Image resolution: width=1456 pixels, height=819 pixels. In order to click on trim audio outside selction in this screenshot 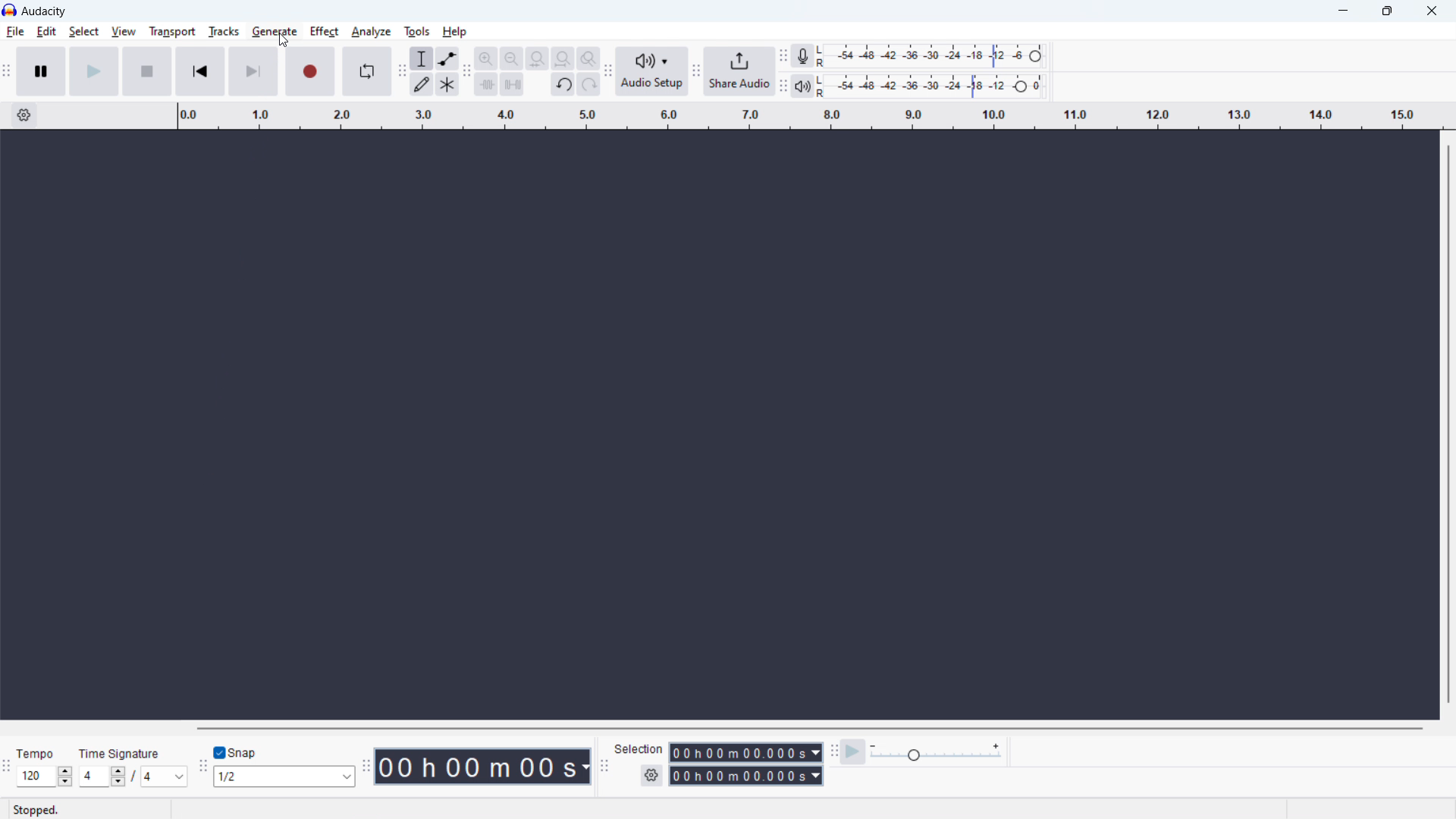, I will do `click(487, 83)`.